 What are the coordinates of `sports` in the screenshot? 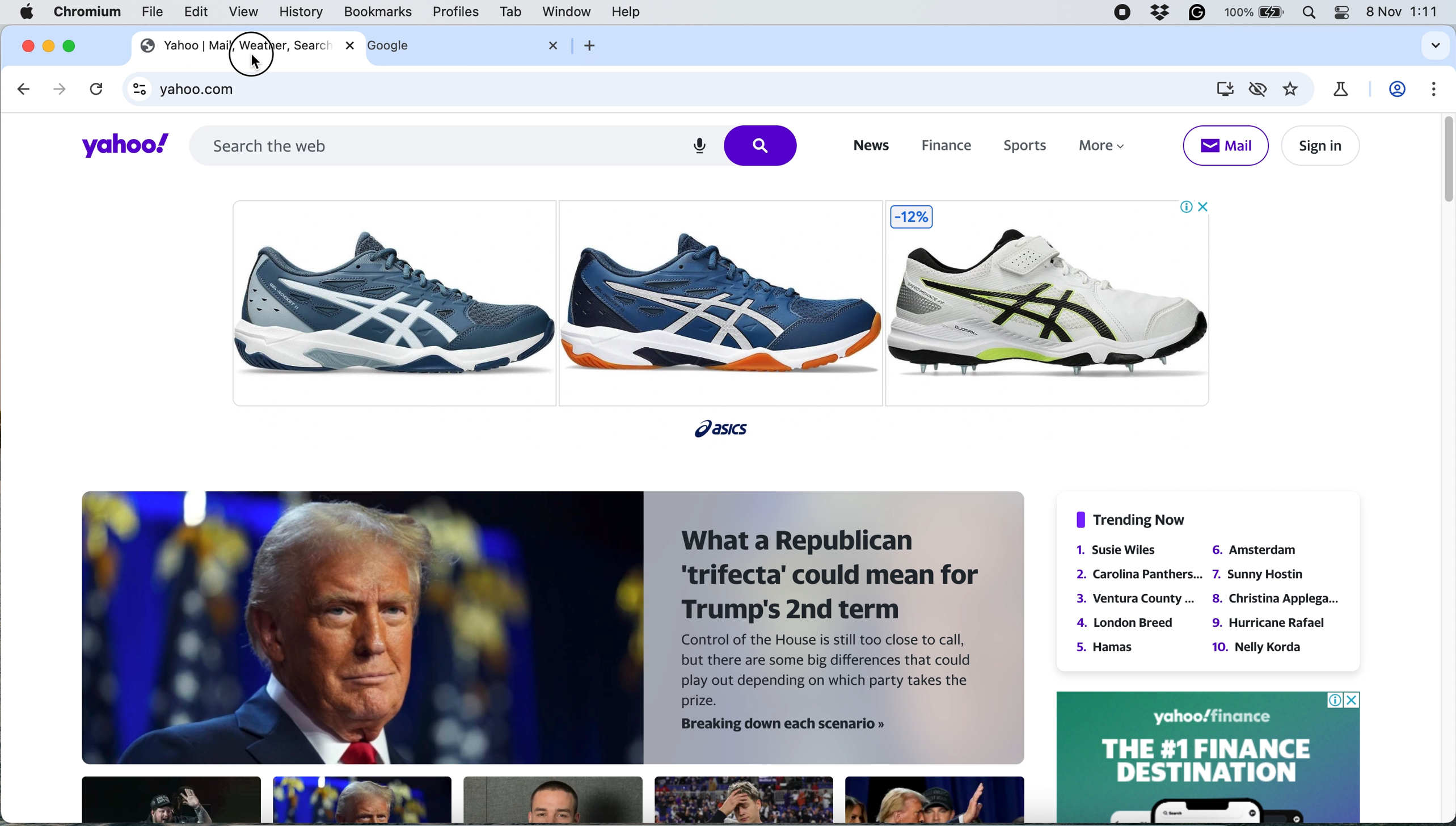 It's located at (1020, 147).